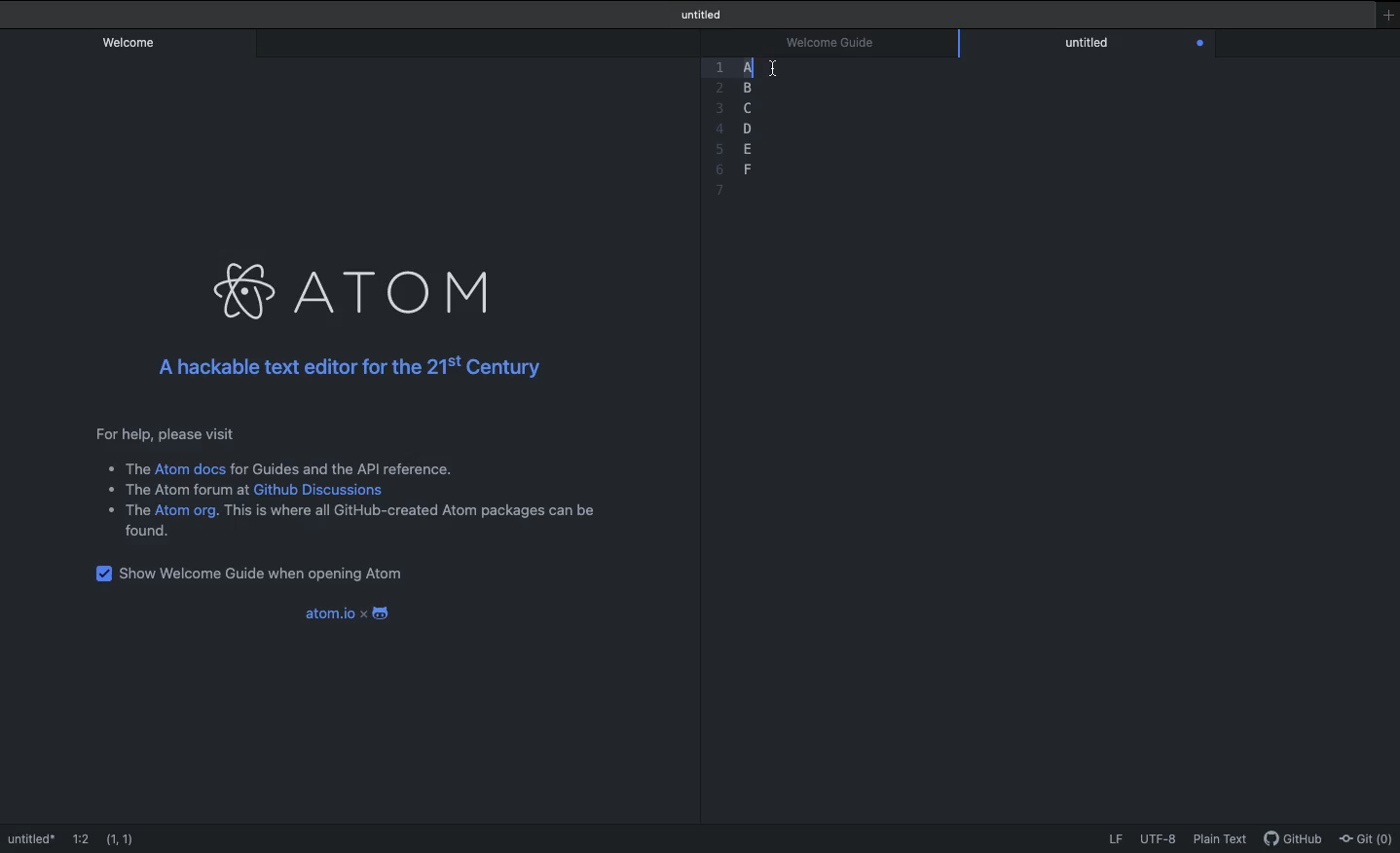  I want to click on A hackable text editor , so click(363, 369).